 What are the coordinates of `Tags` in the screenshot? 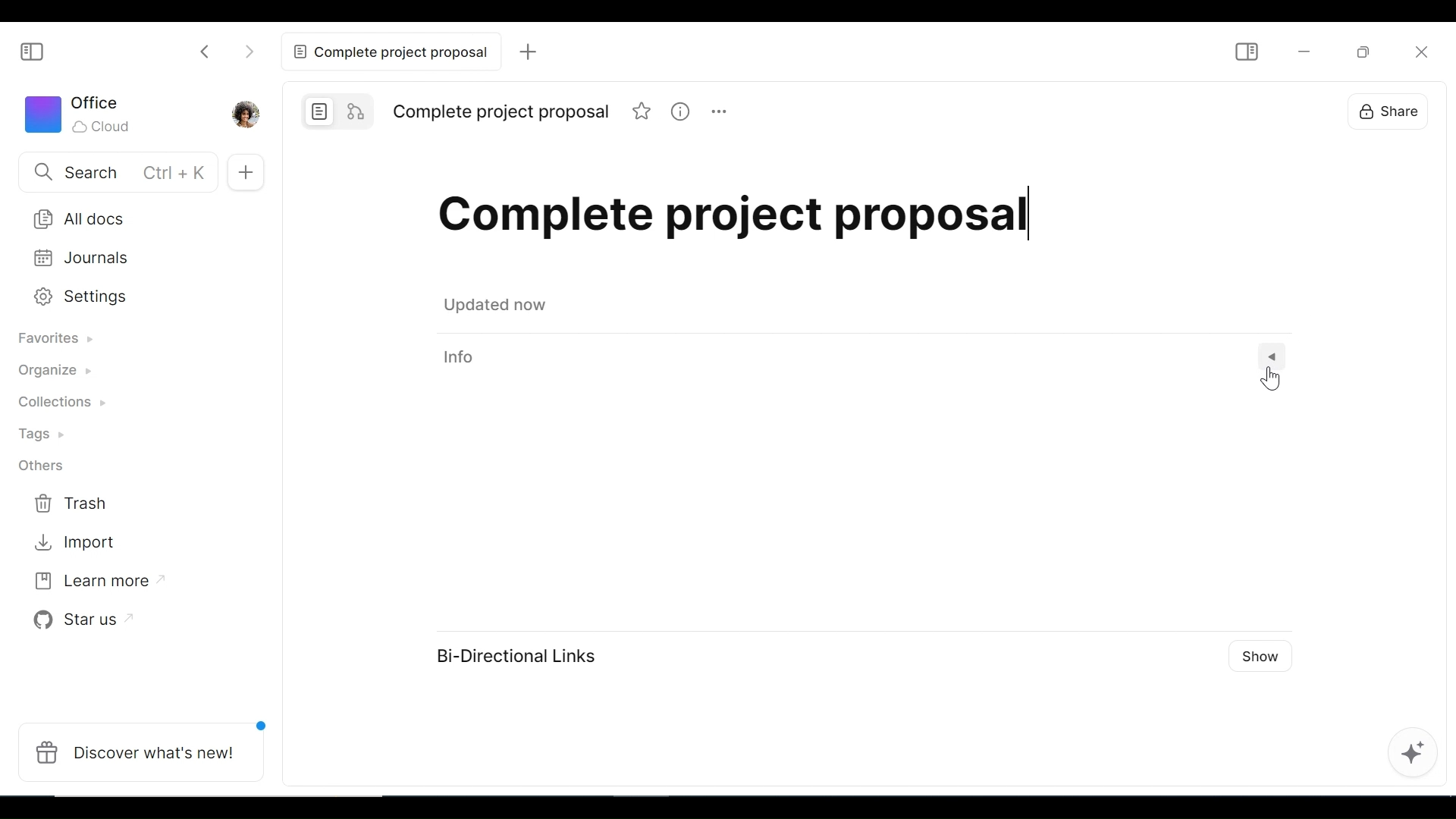 It's located at (49, 436).